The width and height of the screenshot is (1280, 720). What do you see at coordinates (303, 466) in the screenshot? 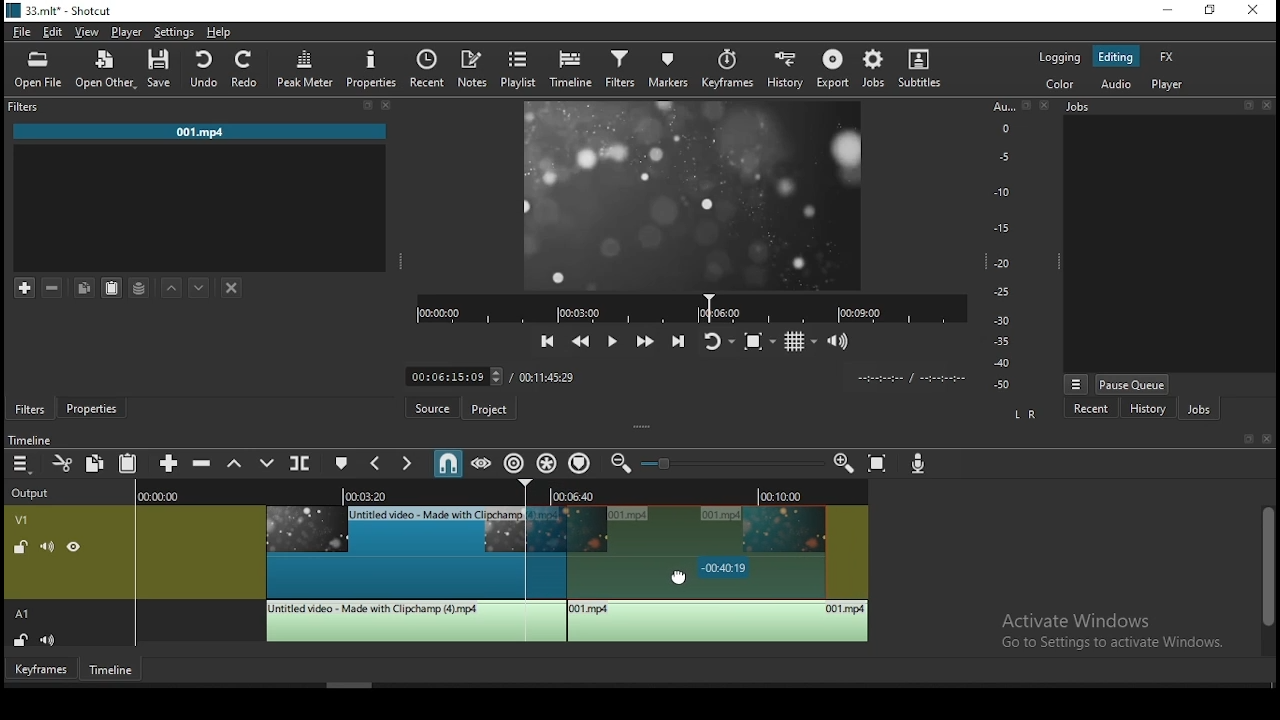
I see `split at playhead` at bounding box center [303, 466].